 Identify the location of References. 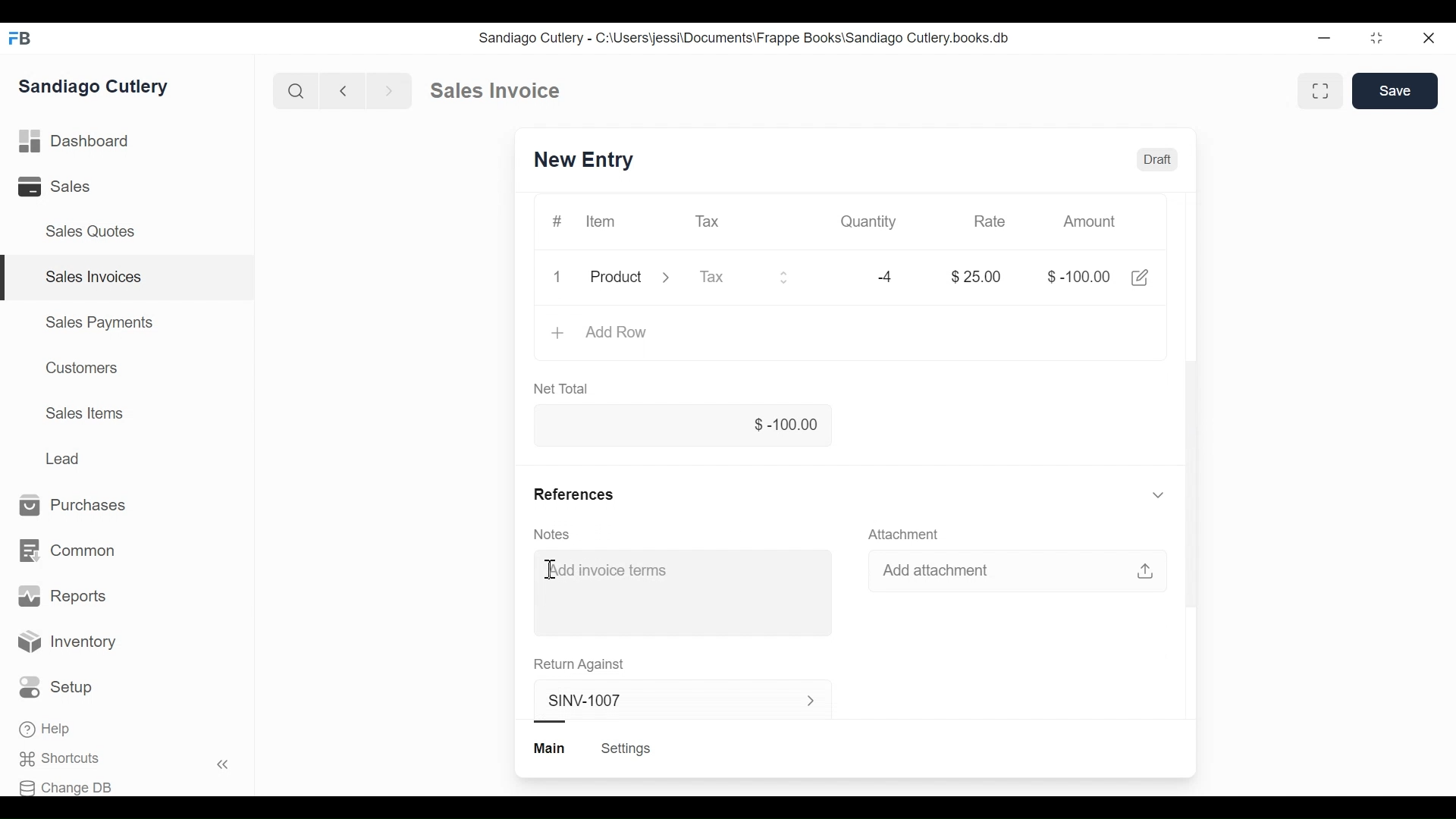
(852, 494).